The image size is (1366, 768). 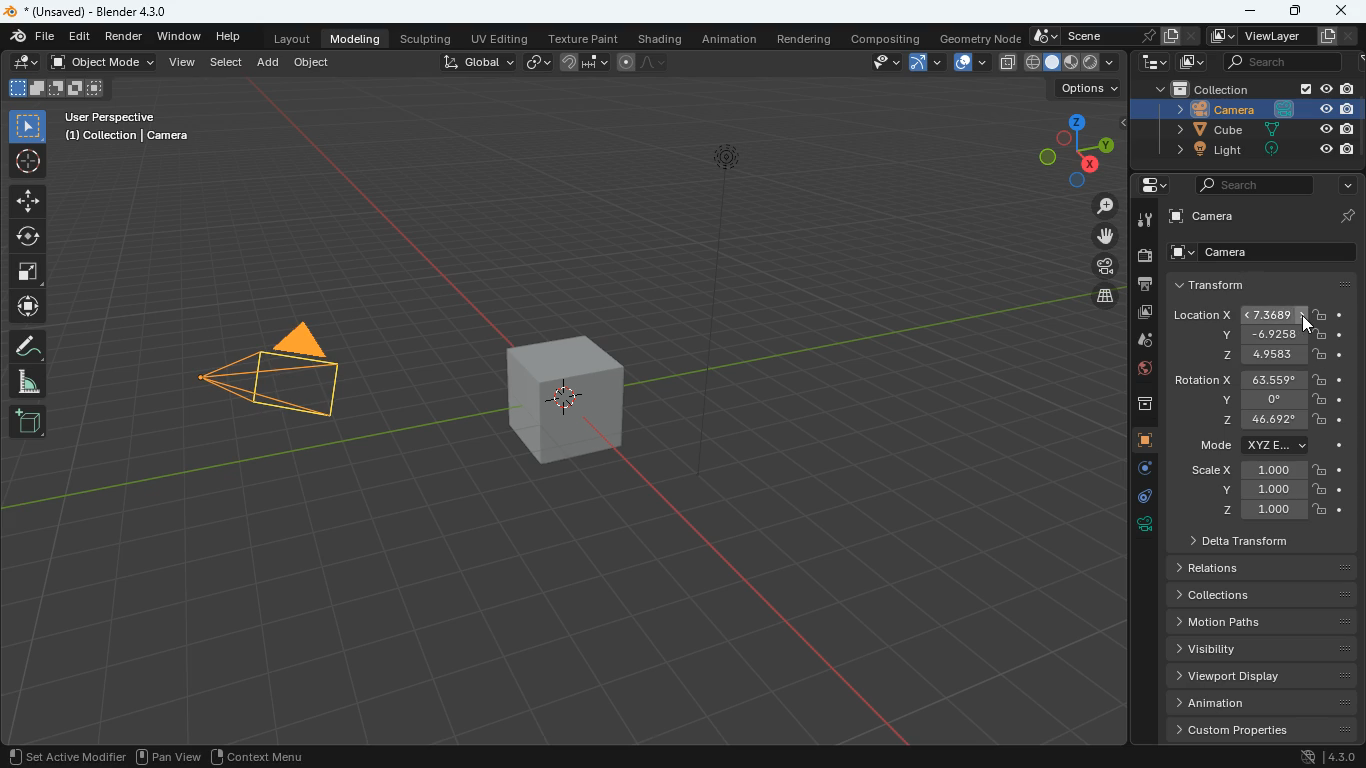 What do you see at coordinates (232, 37) in the screenshot?
I see `help` at bounding box center [232, 37].